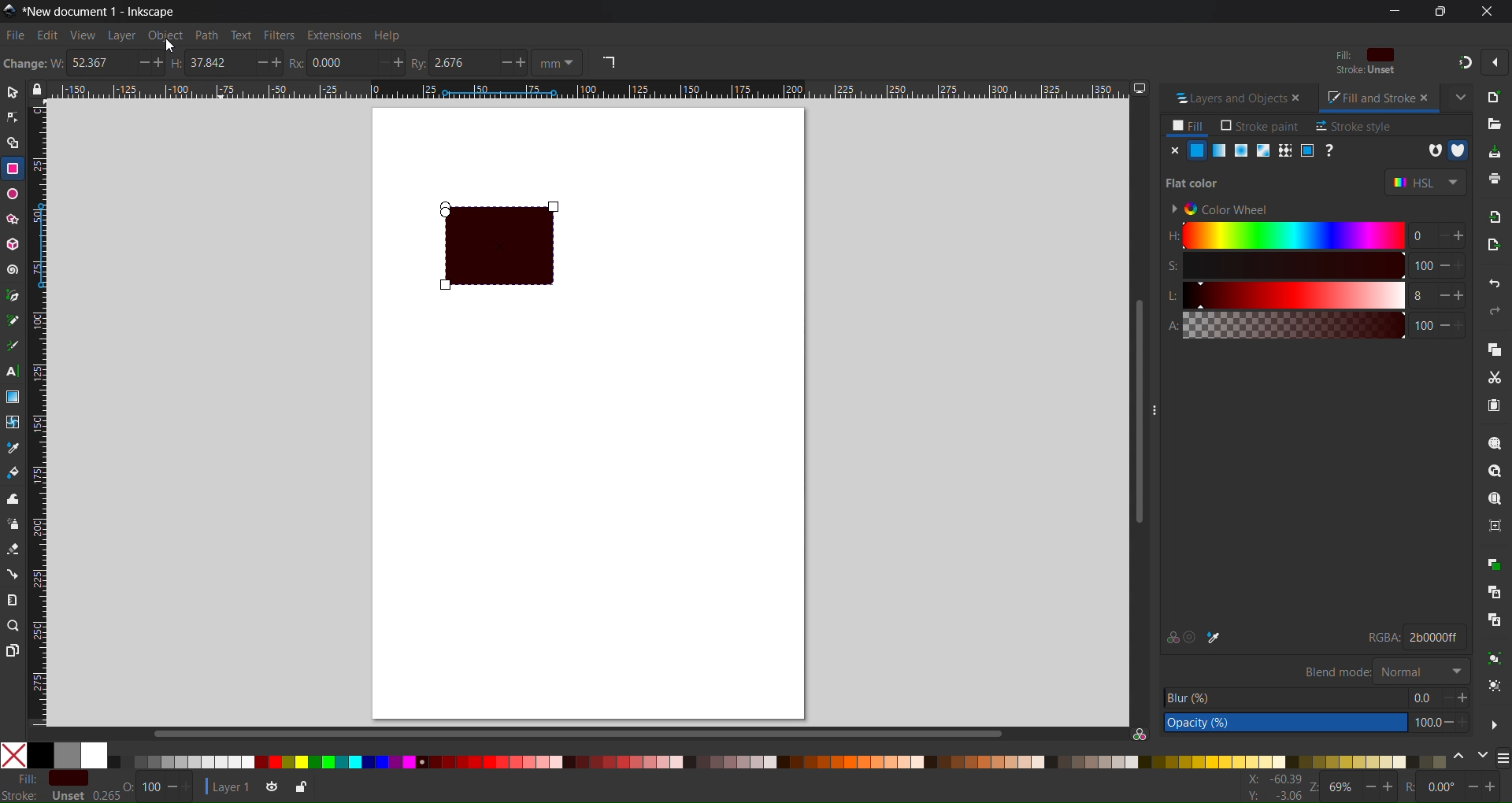 The height and width of the screenshot is (803, 1512). I want to click on Zoom center page, so click(1494, 525).